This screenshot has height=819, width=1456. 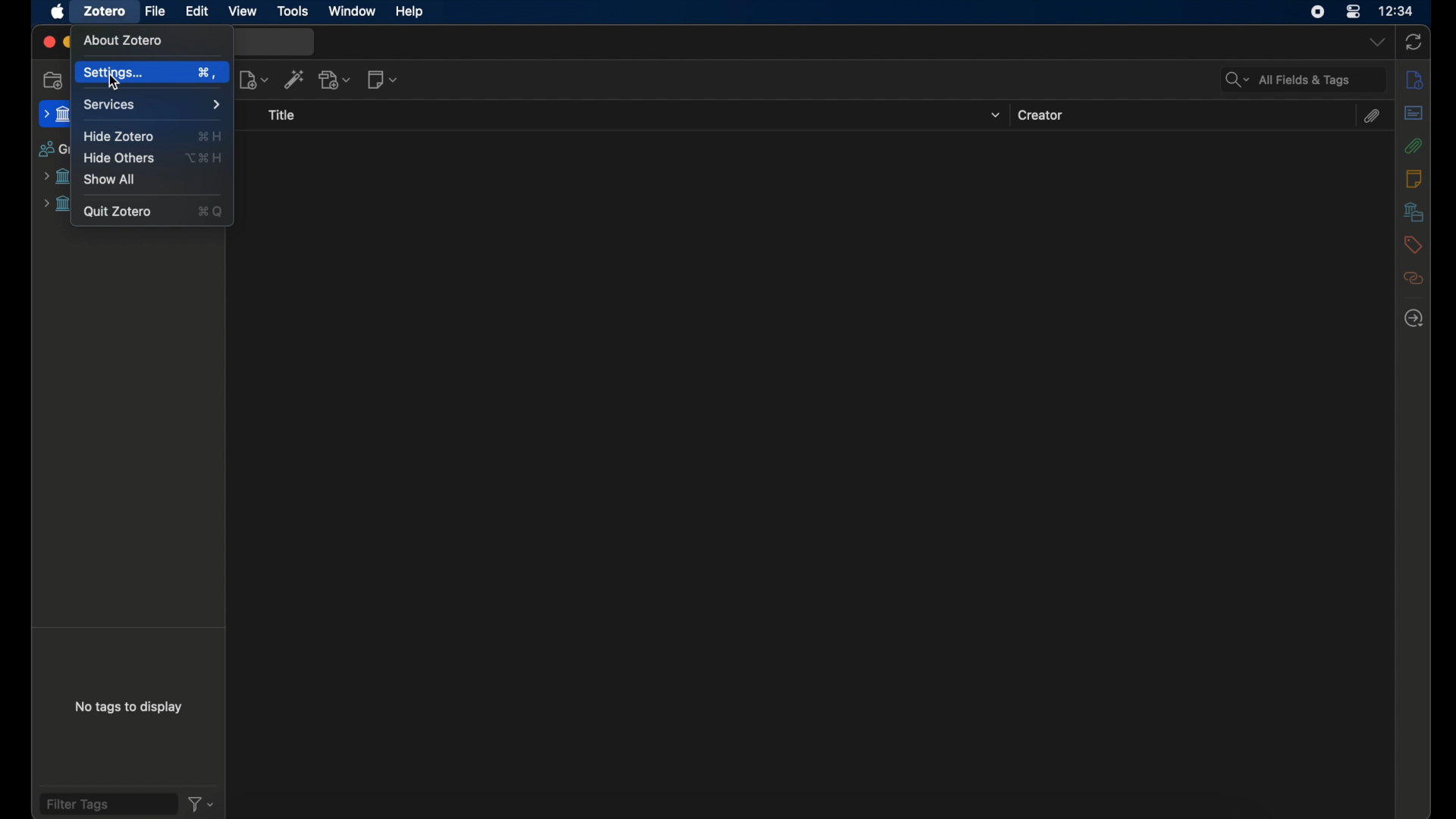 What do you see at coordinates (119, 136) in the screenshot?
I see `hide zotero` at bounding box center [119, 136].